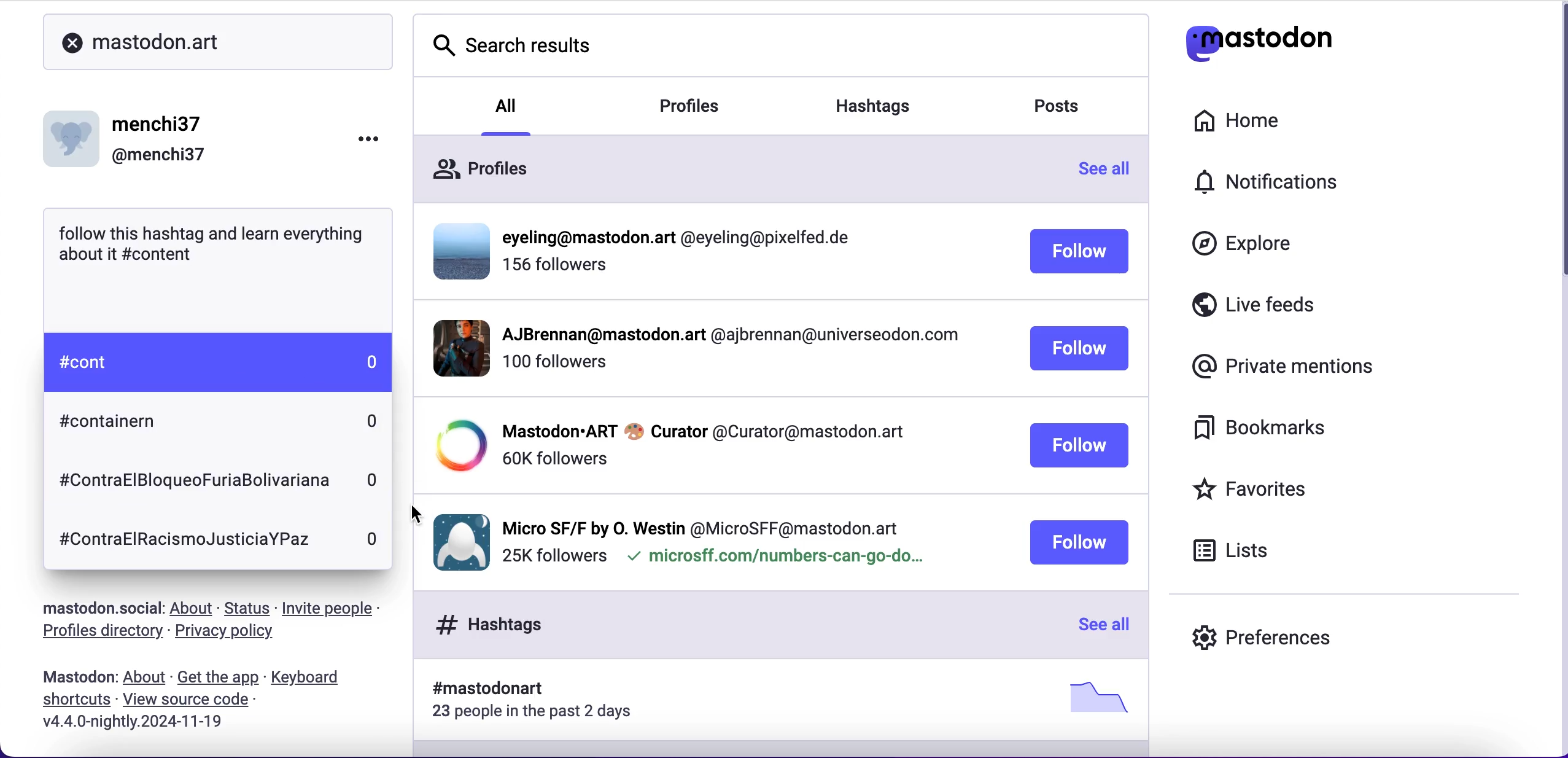 Image resolution: width=1568 pixels, height=758 pixels. I want to click on view source code, so click(197, 700).